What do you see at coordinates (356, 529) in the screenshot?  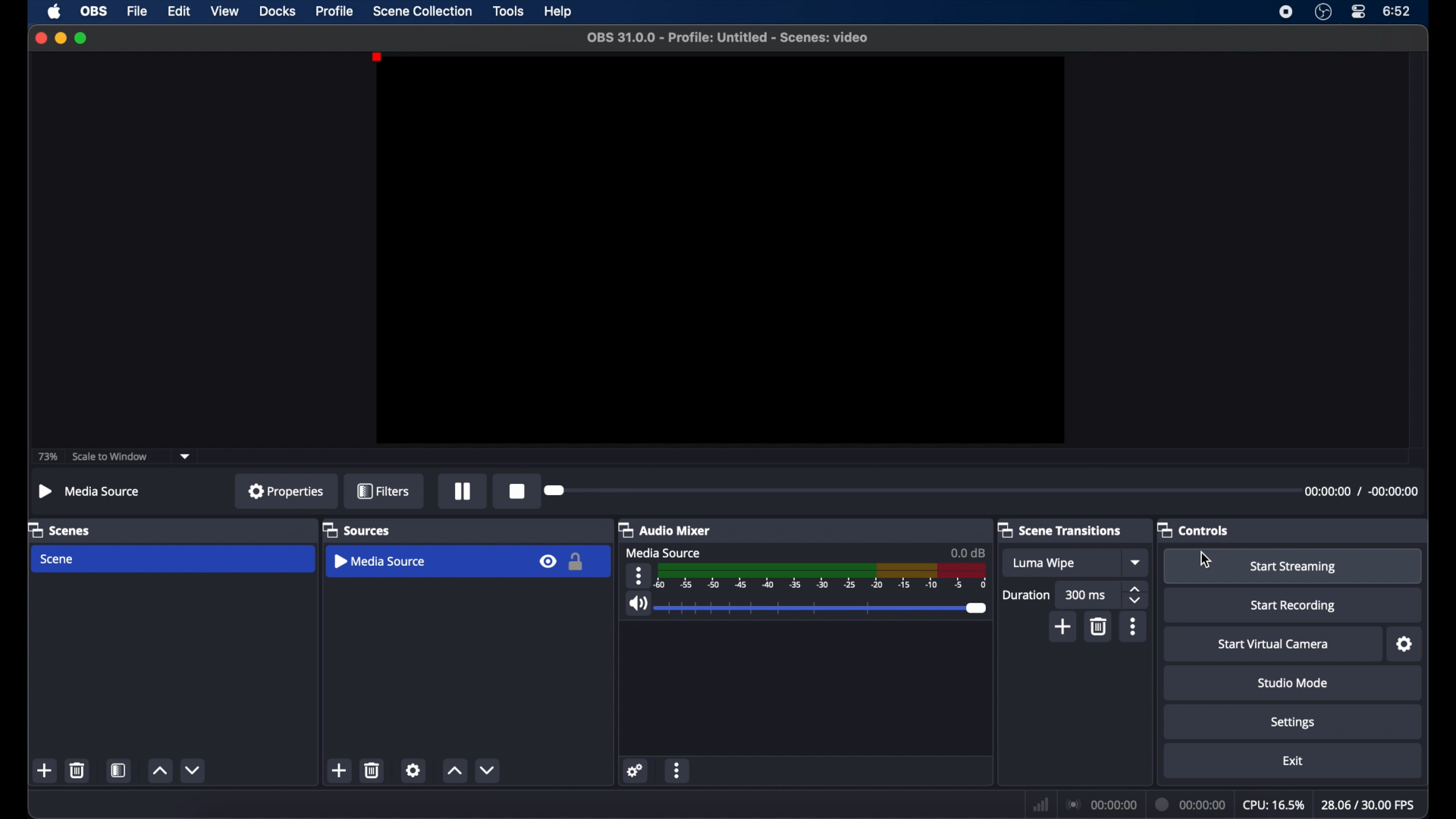 I see `sources` at bounding box center [356, 529].